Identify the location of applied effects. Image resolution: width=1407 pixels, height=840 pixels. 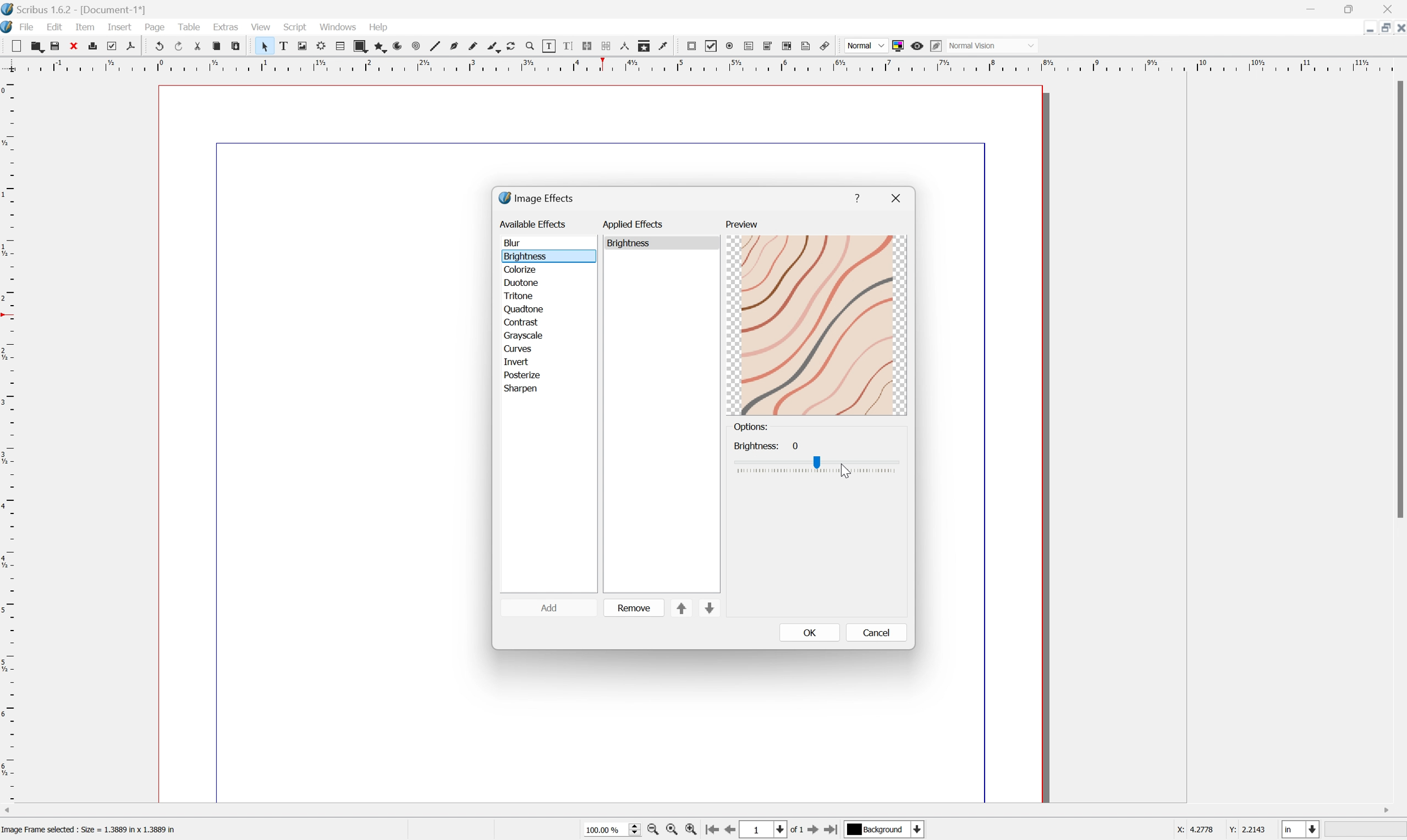
(634, 222).